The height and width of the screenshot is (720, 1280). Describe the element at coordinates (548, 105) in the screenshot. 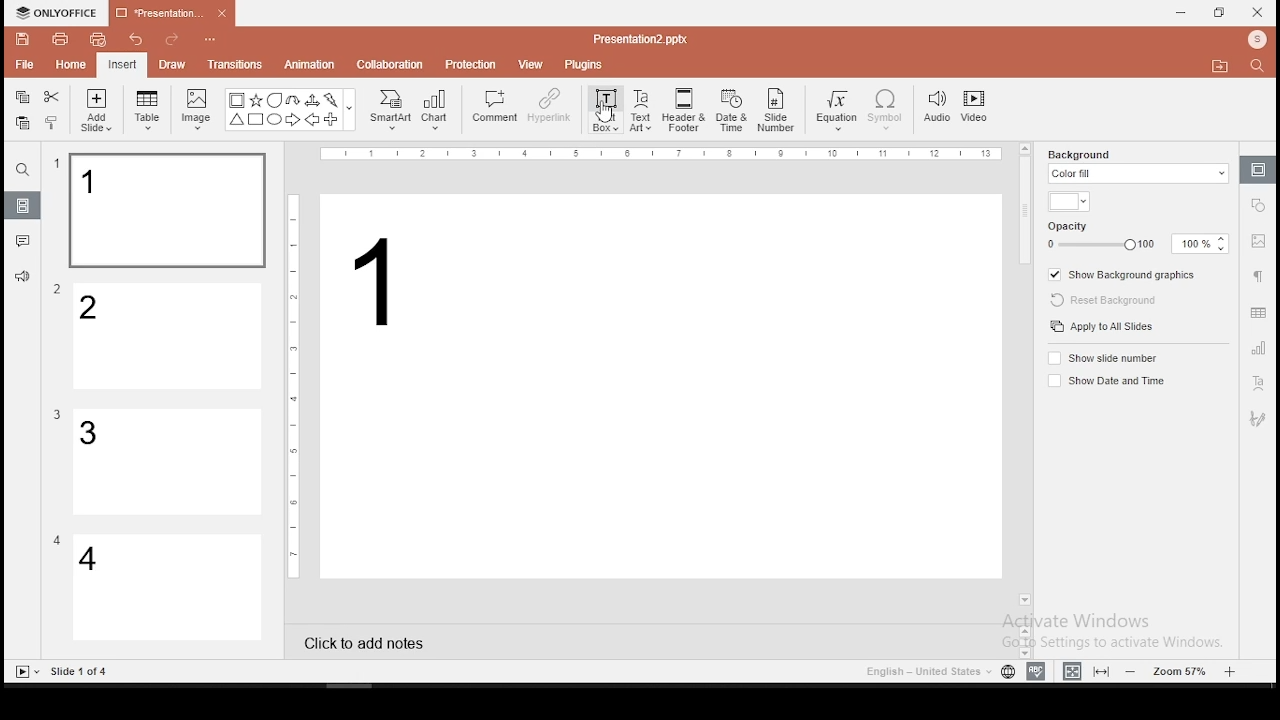

I see `hyperlink` at that location.